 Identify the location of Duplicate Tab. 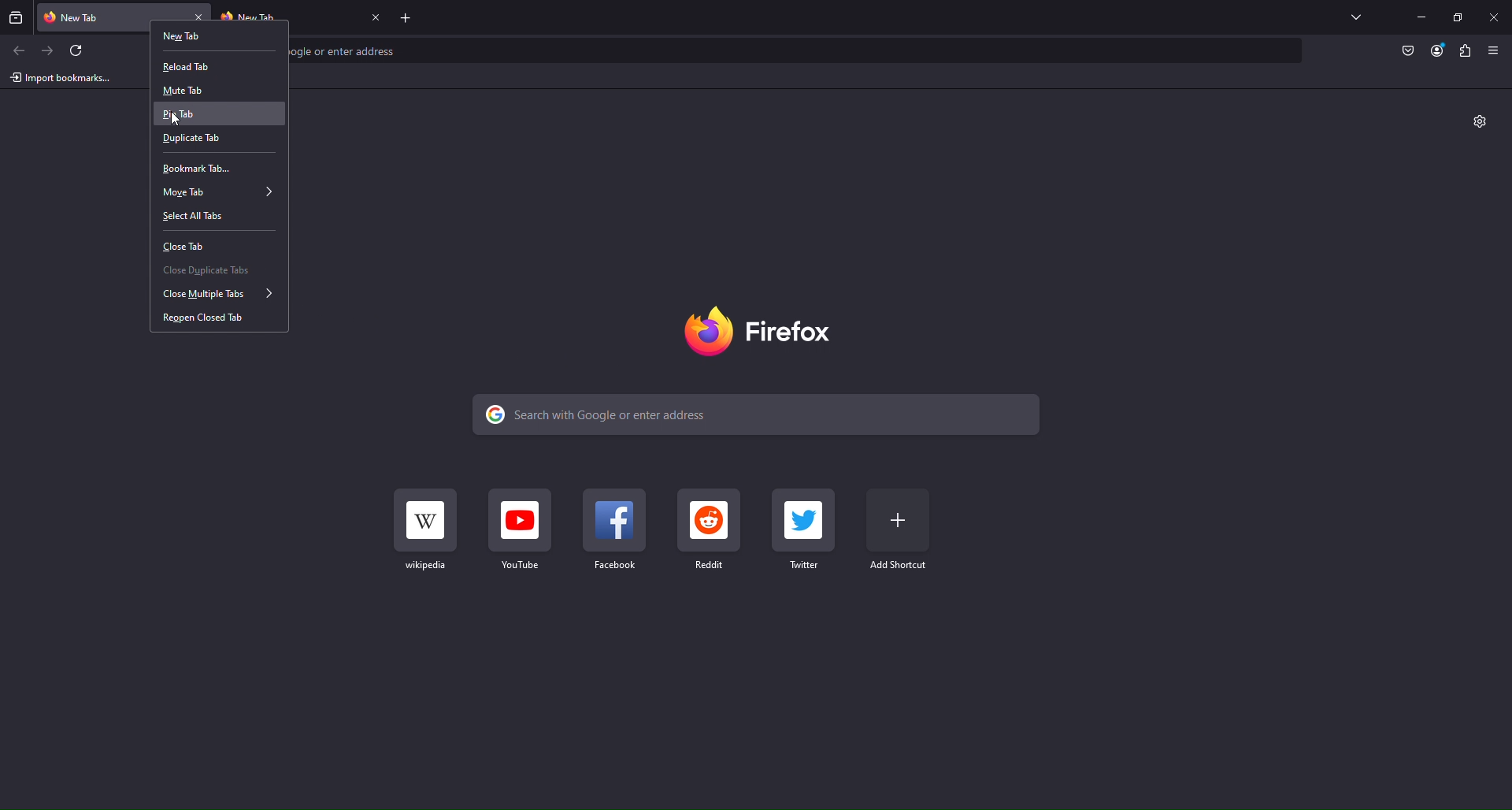
(219, 140).